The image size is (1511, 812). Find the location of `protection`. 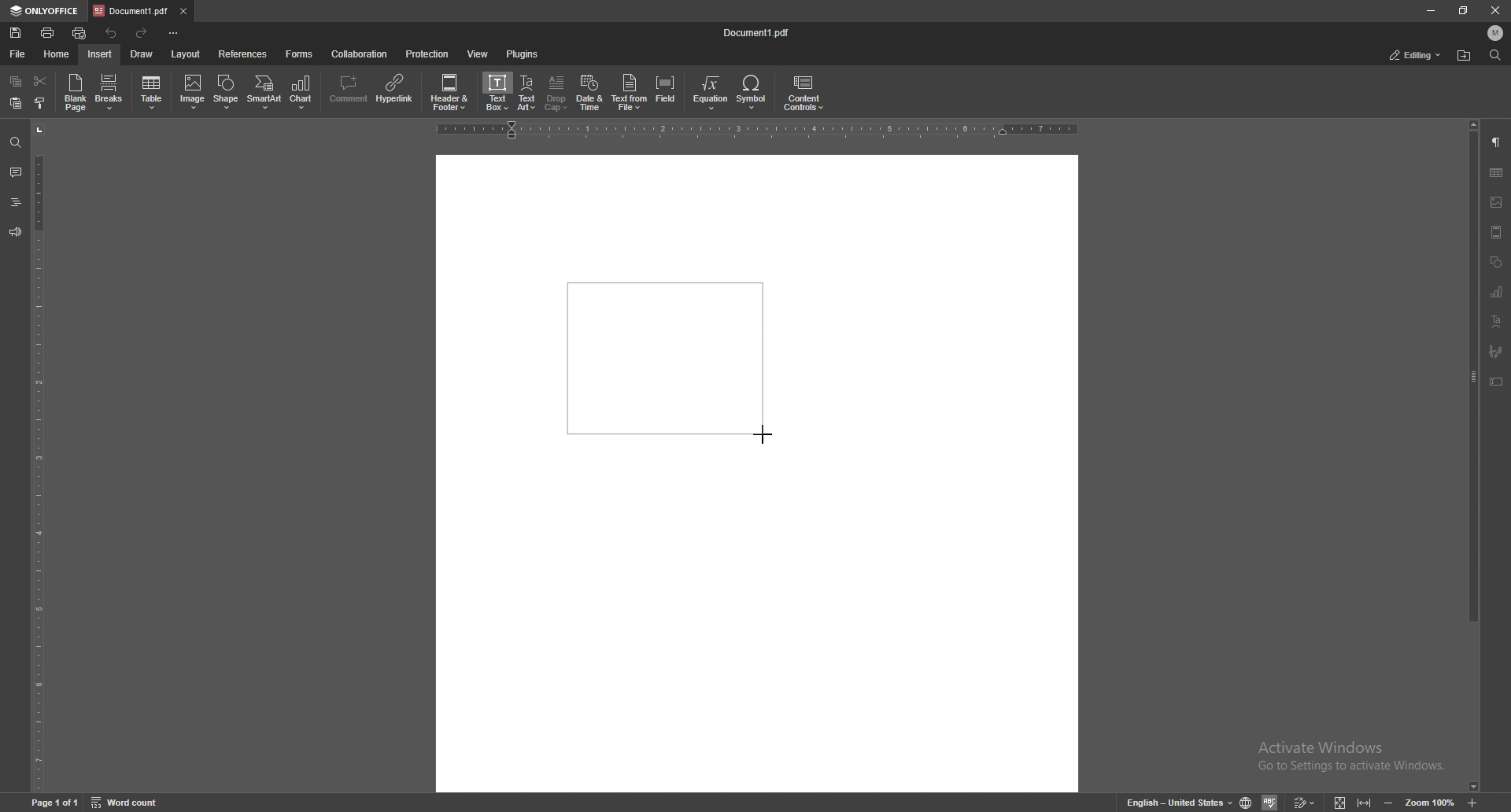

protection is located at coordinates (427, 53).